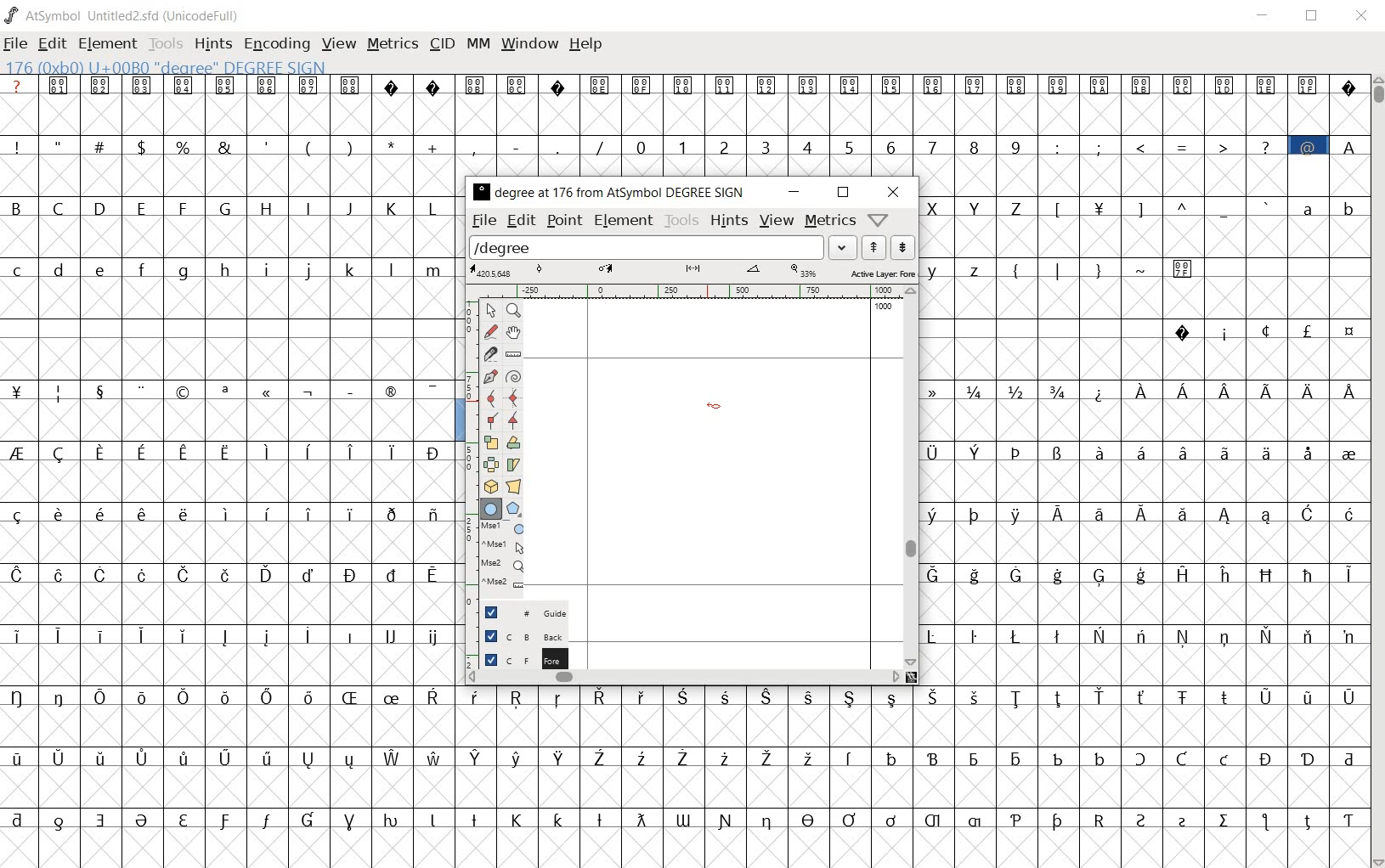  Describe the element at coordinates (496, 560) in the screenshot. I see `mse1 mse1 mse2 mse2` at that location.